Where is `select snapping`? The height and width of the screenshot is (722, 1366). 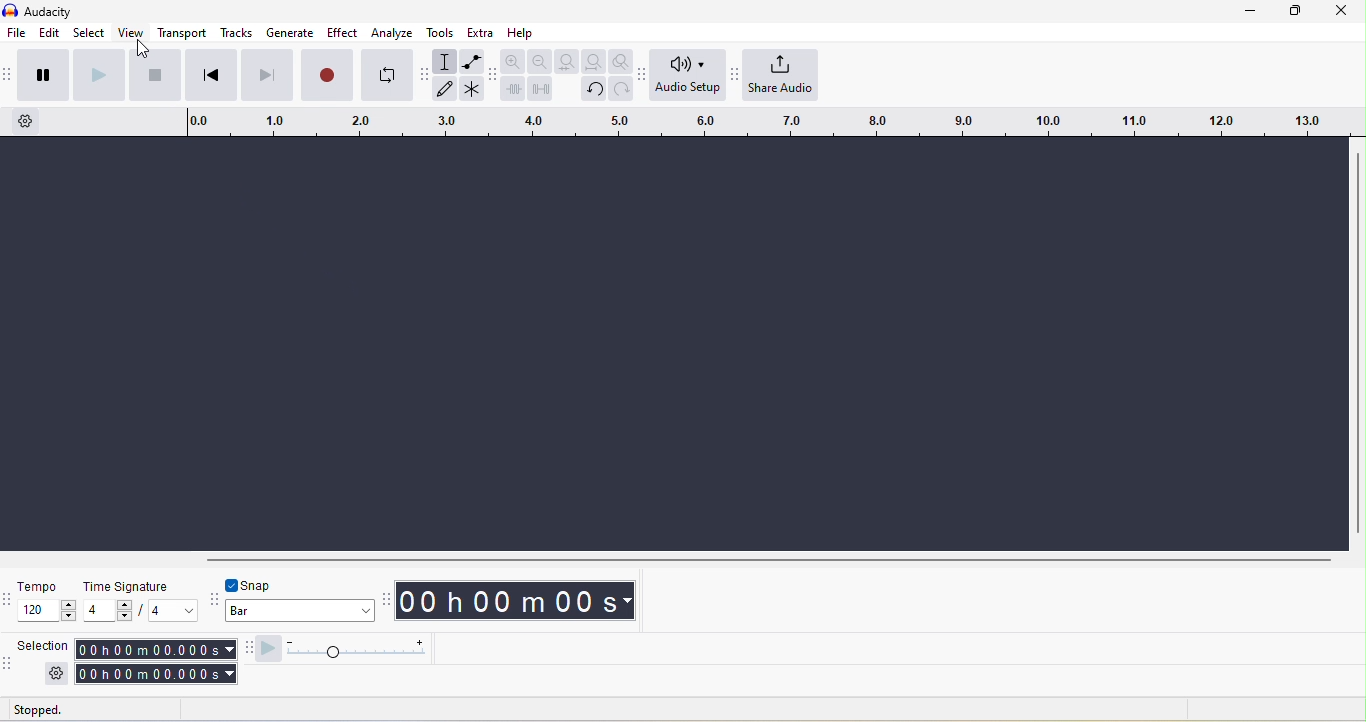
select snapping is located at coordinates (300, 610).